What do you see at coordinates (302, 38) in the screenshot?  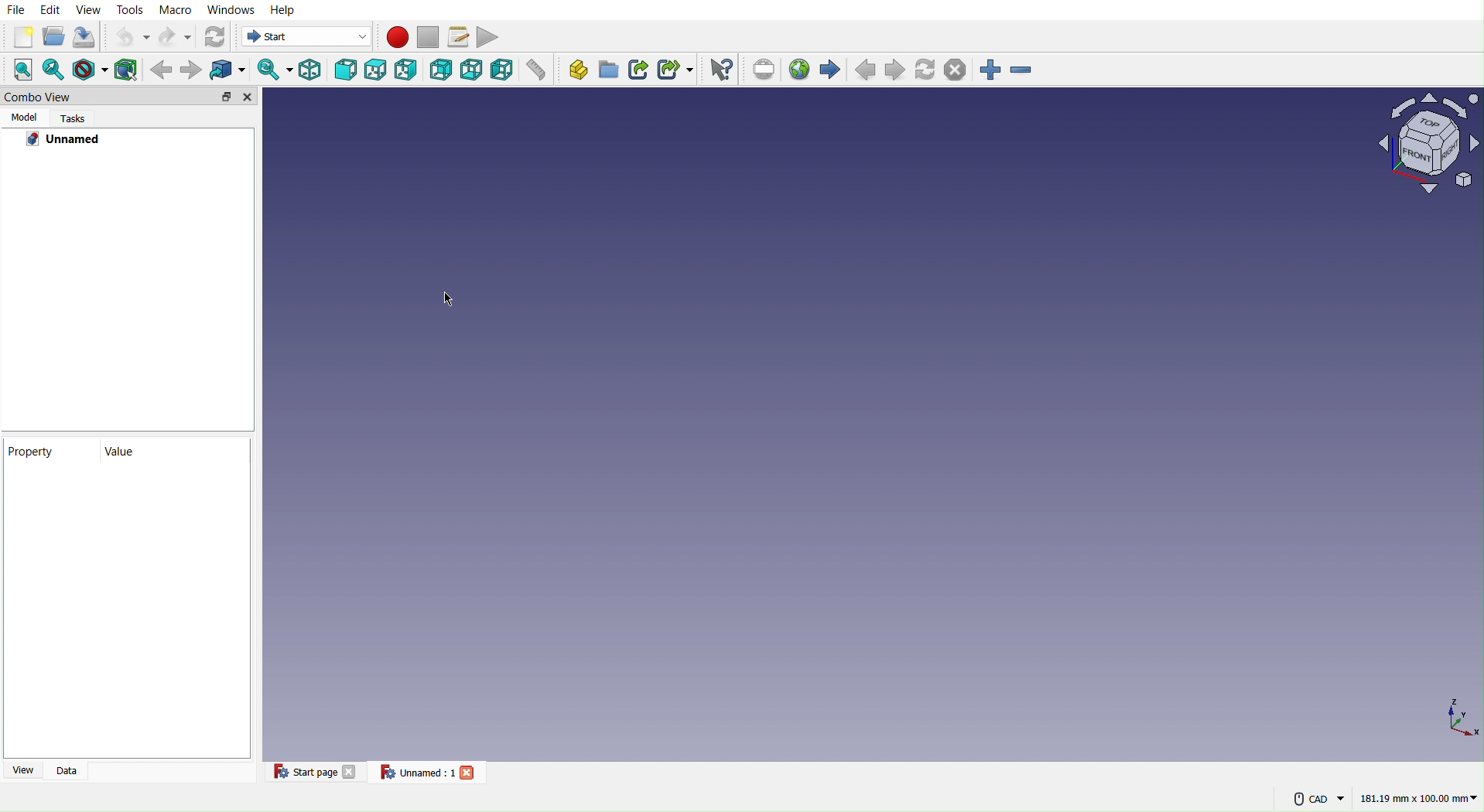 I see `Start` at bounding box center [302, 38].